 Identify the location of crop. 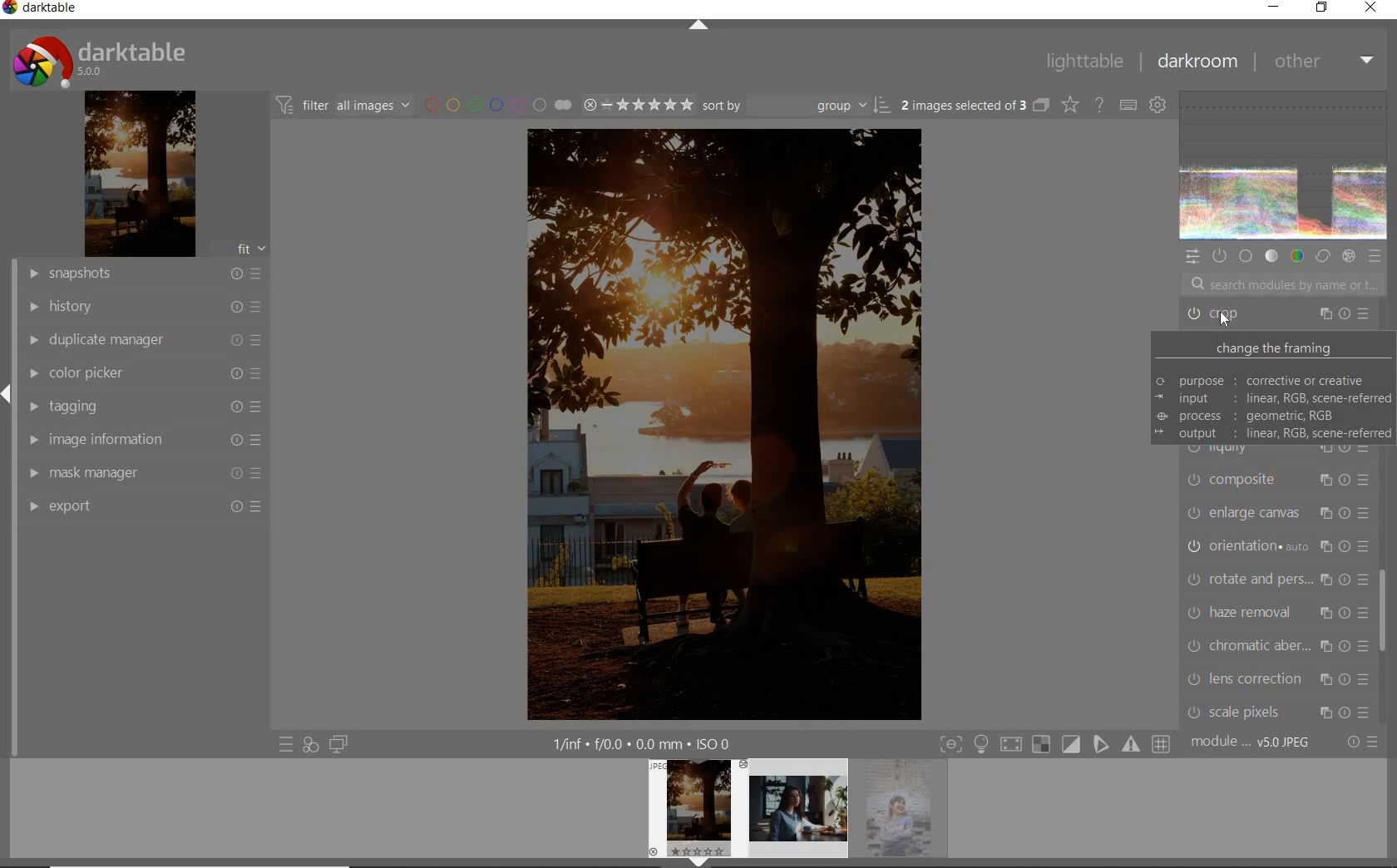
(1281, 313).